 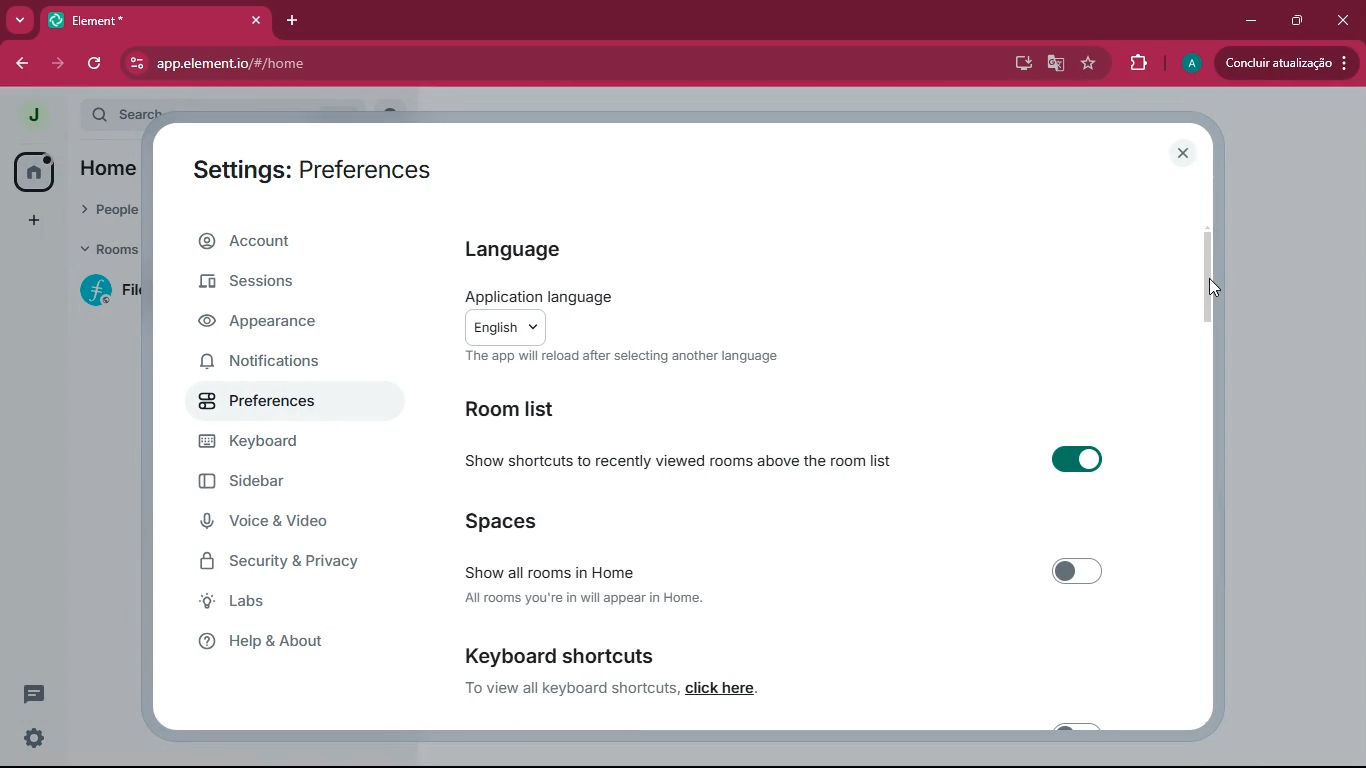 What do you see at coordinates (680, 461) in the screenshot?
I see `show shortcuts to recently viewed rooms above the room list` at bounding box center [680, 461].